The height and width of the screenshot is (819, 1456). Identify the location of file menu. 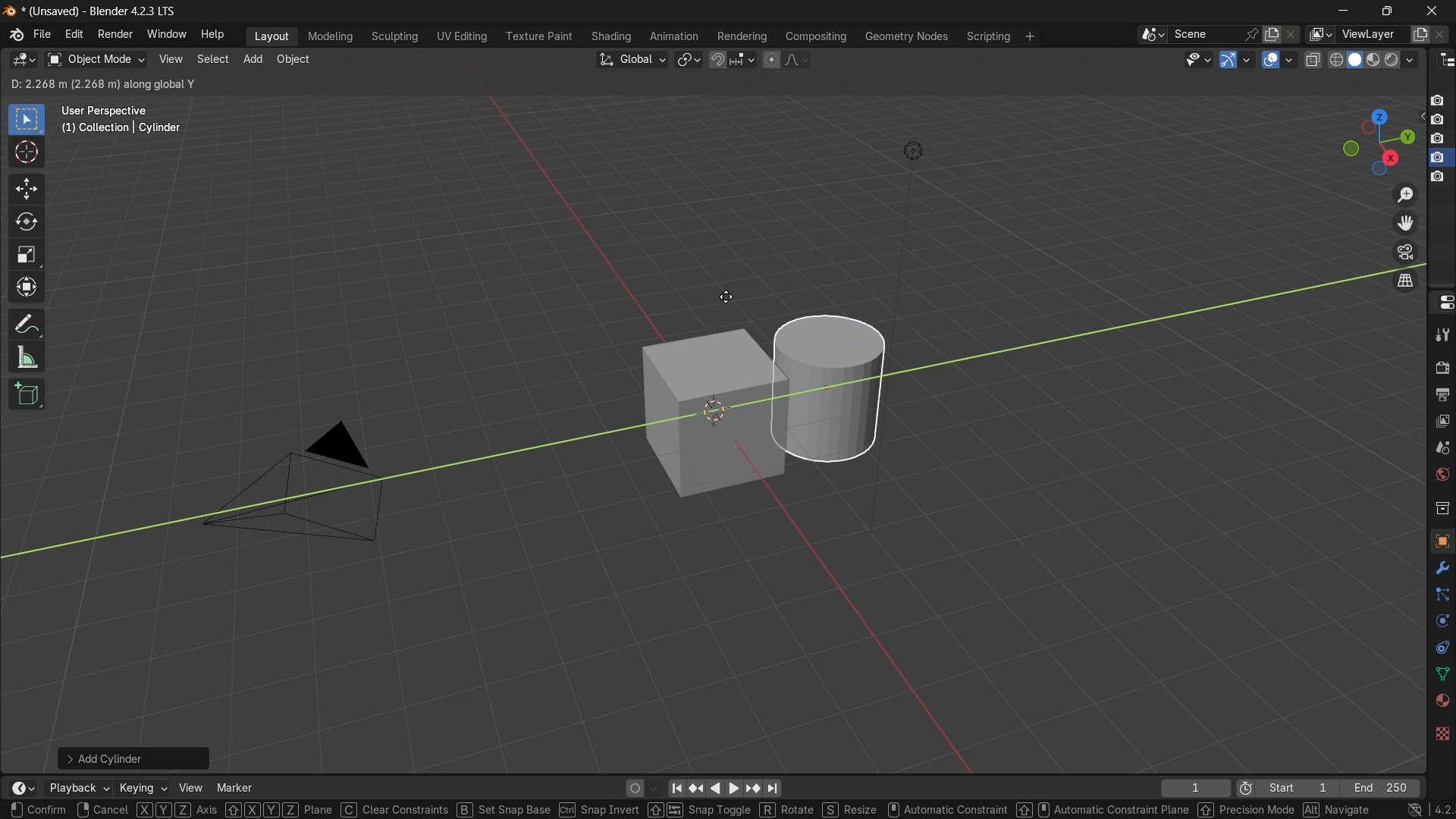
(42, 35).